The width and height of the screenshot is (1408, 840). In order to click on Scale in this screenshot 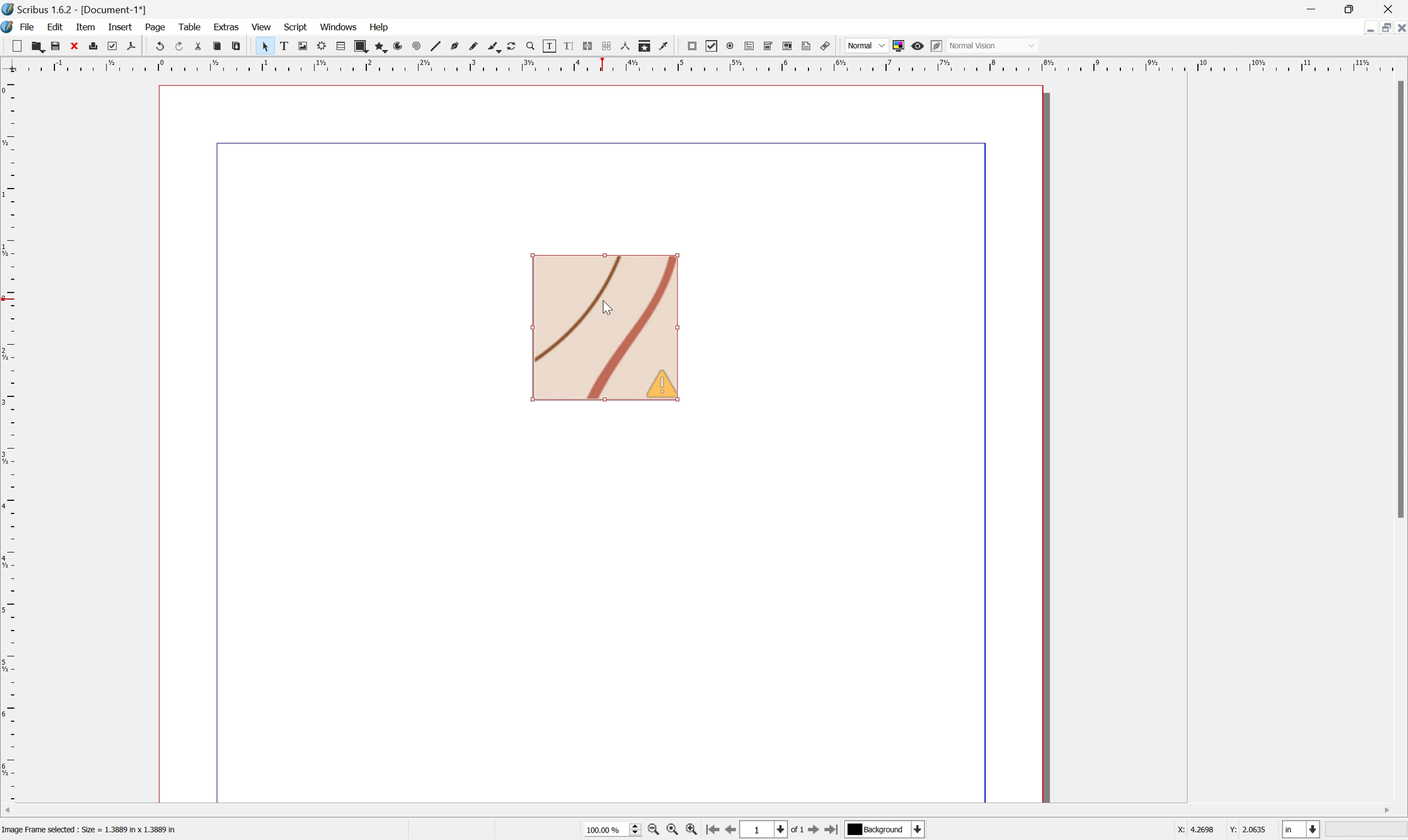, I will do `click(9, 439)`.